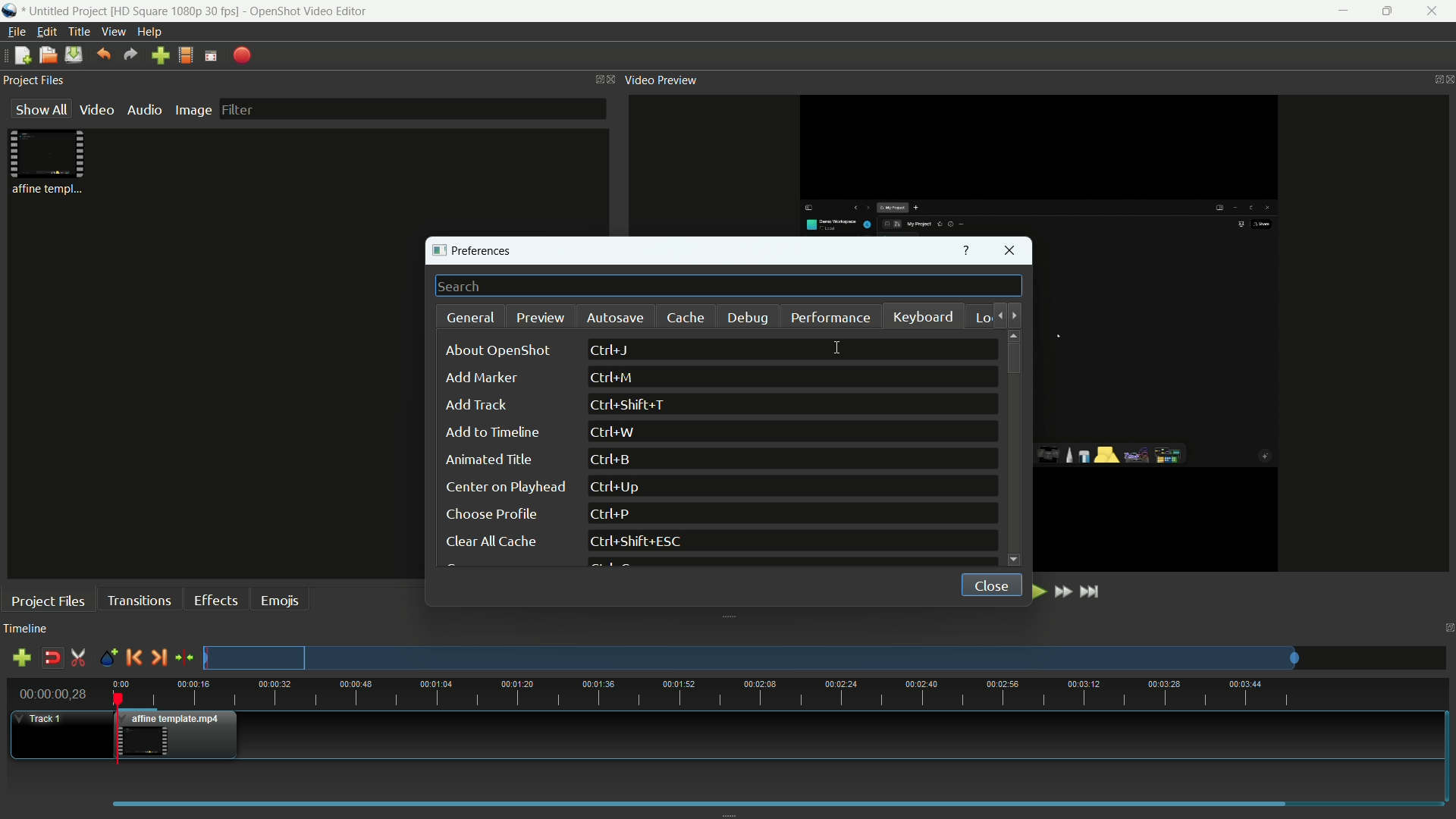 The width and height of the screenshot is (1456, 819). I want to click on effects, so click(218, 600).